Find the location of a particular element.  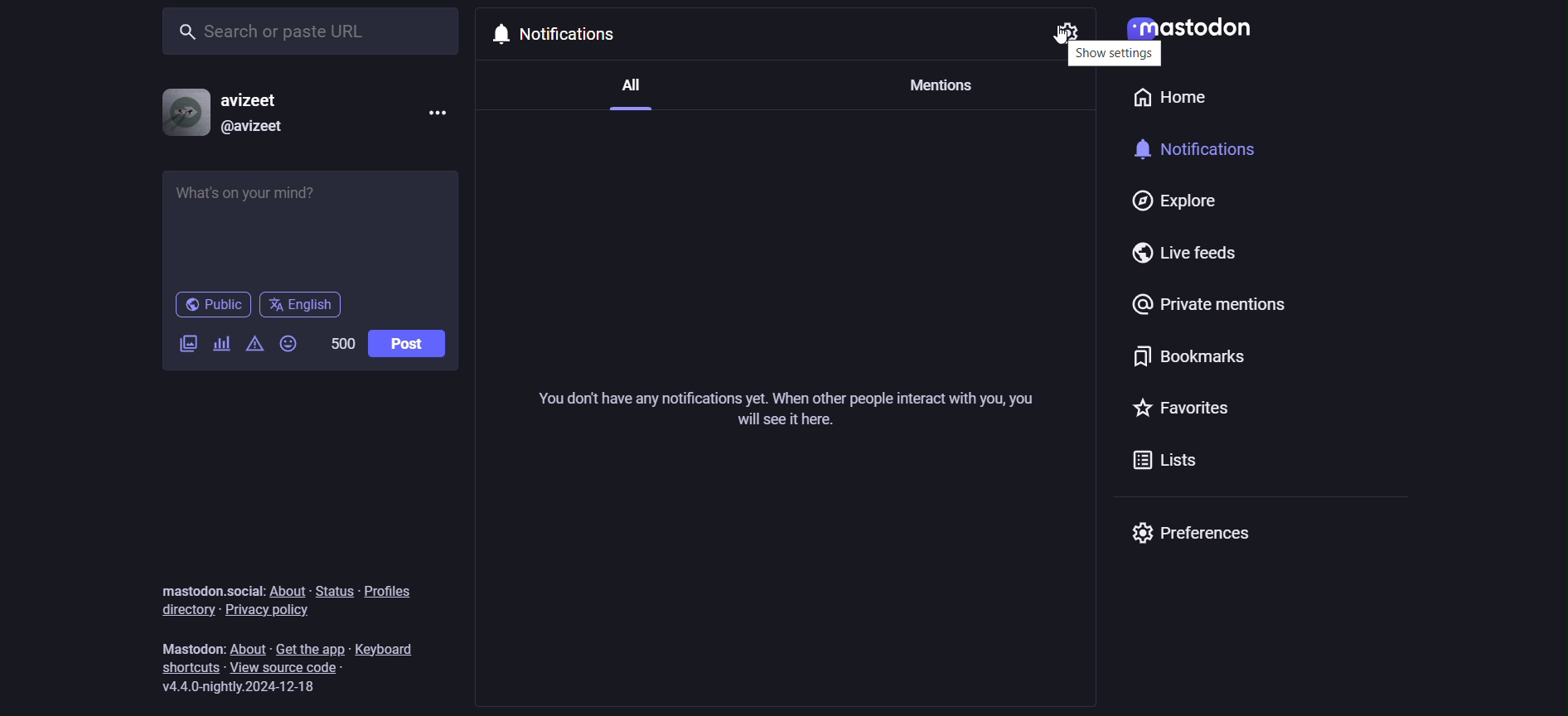

profile picture is located at coordinates (182, 112).